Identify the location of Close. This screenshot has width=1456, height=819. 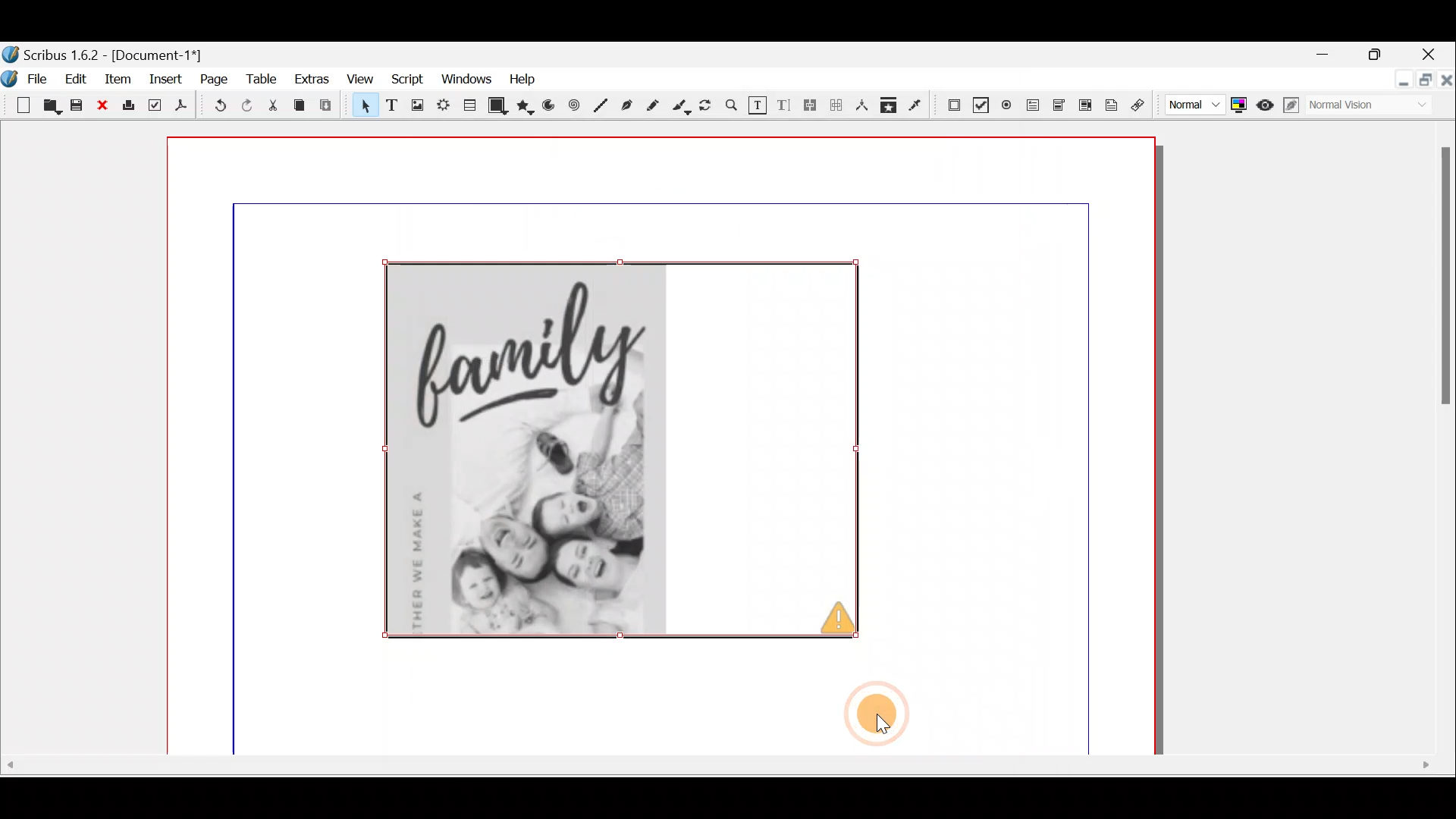
(1433, 54).